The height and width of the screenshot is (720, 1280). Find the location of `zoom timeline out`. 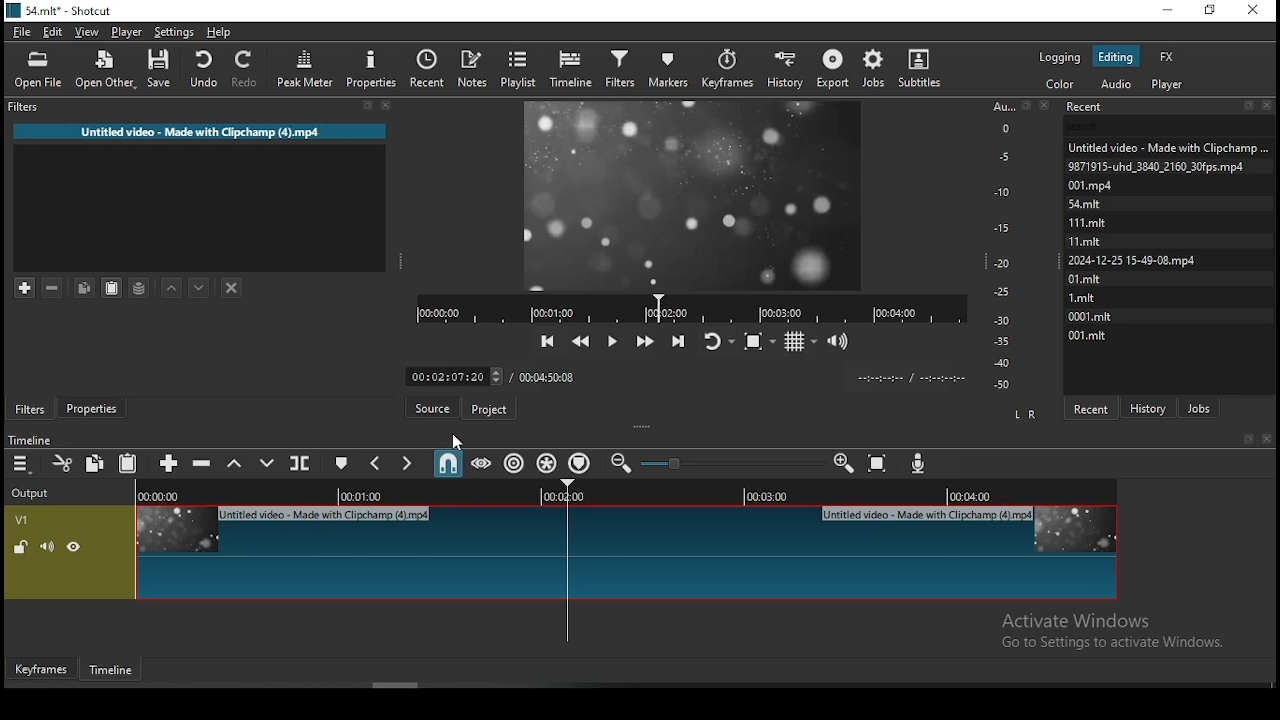

zoom timeline out is located at coordinates (842, 464).